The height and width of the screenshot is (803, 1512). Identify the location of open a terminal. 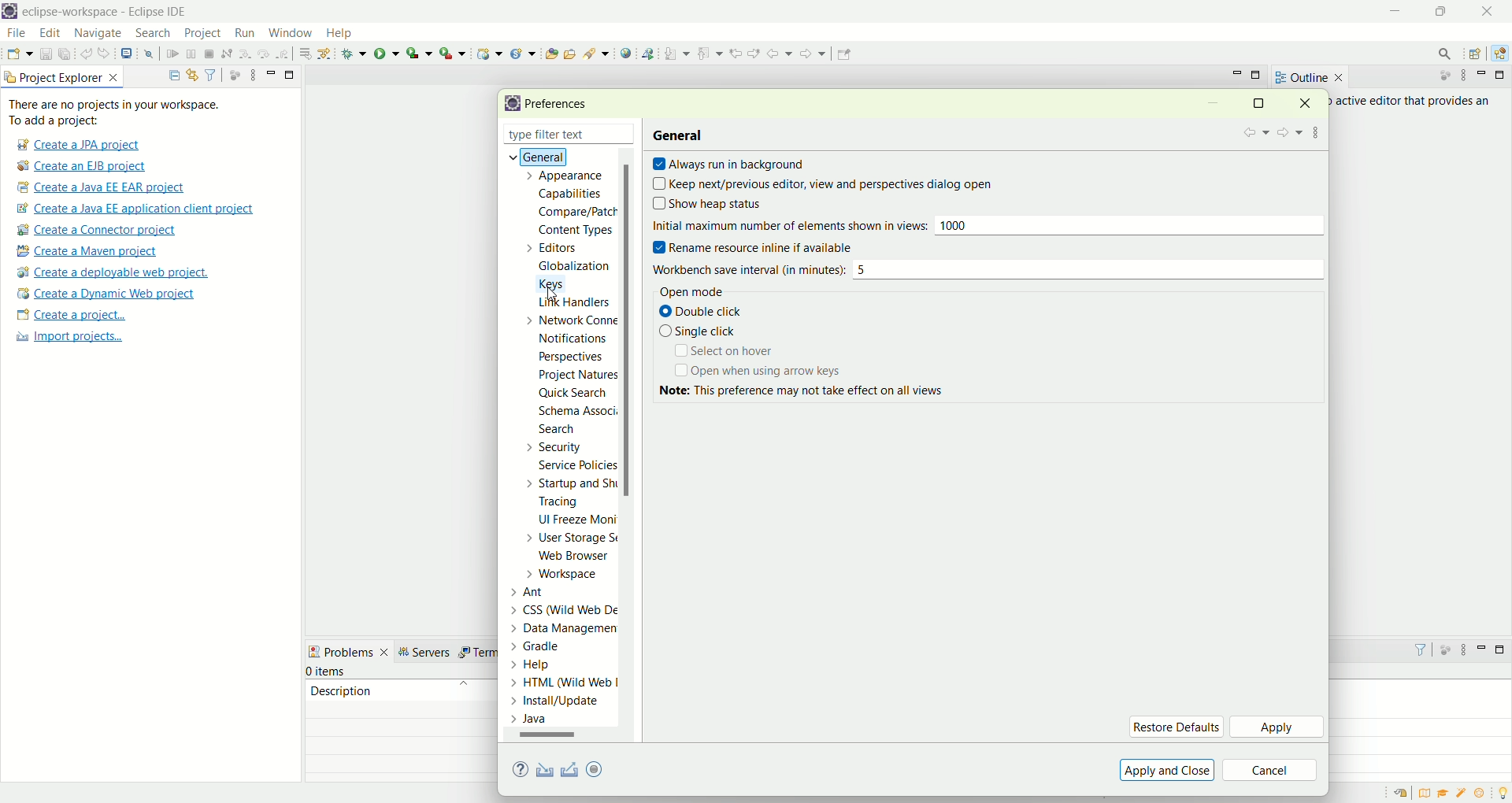
(125, 54).